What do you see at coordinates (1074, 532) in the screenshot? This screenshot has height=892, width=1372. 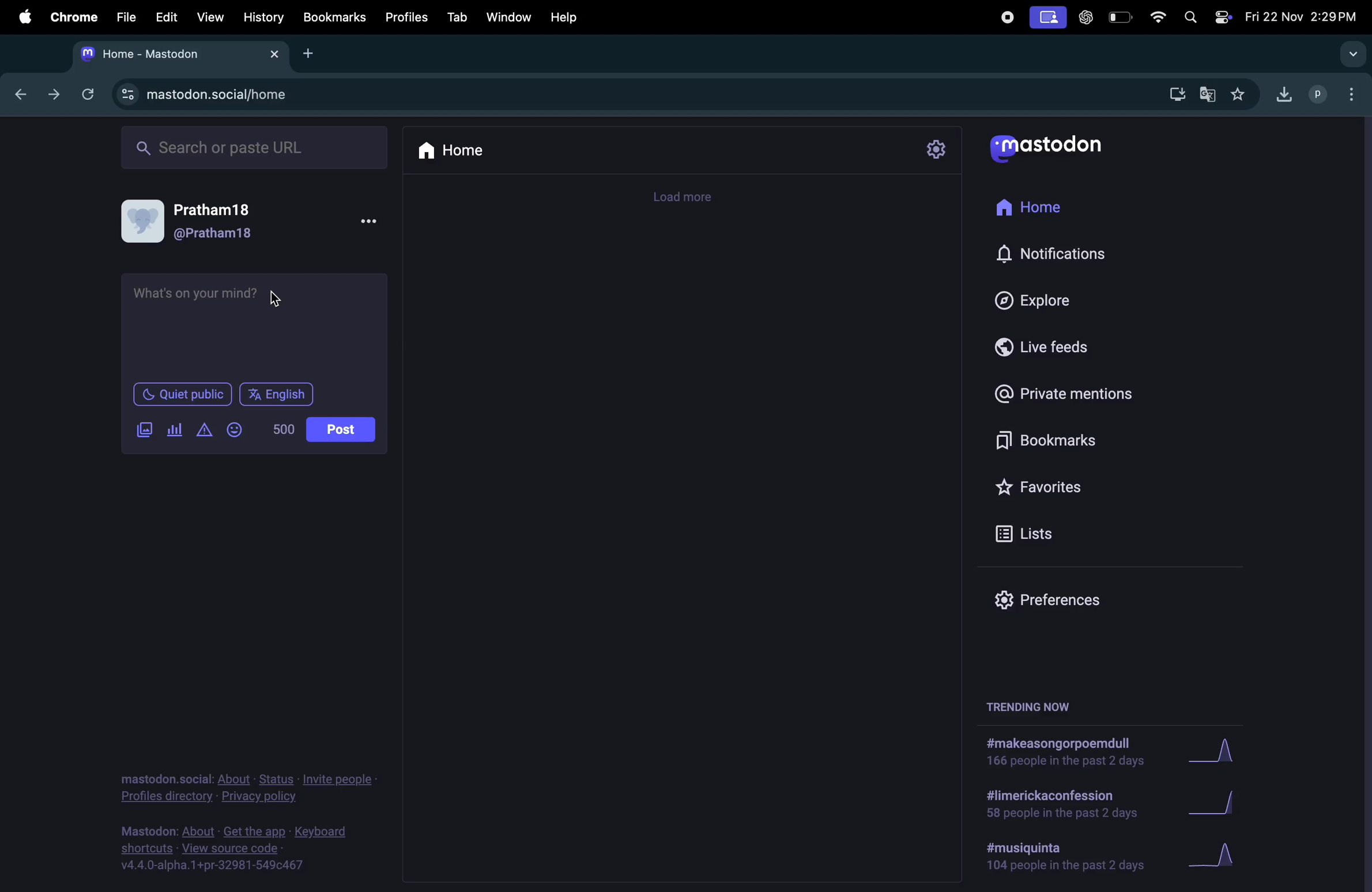 I see `lists` at bounding box center [1074, 532].